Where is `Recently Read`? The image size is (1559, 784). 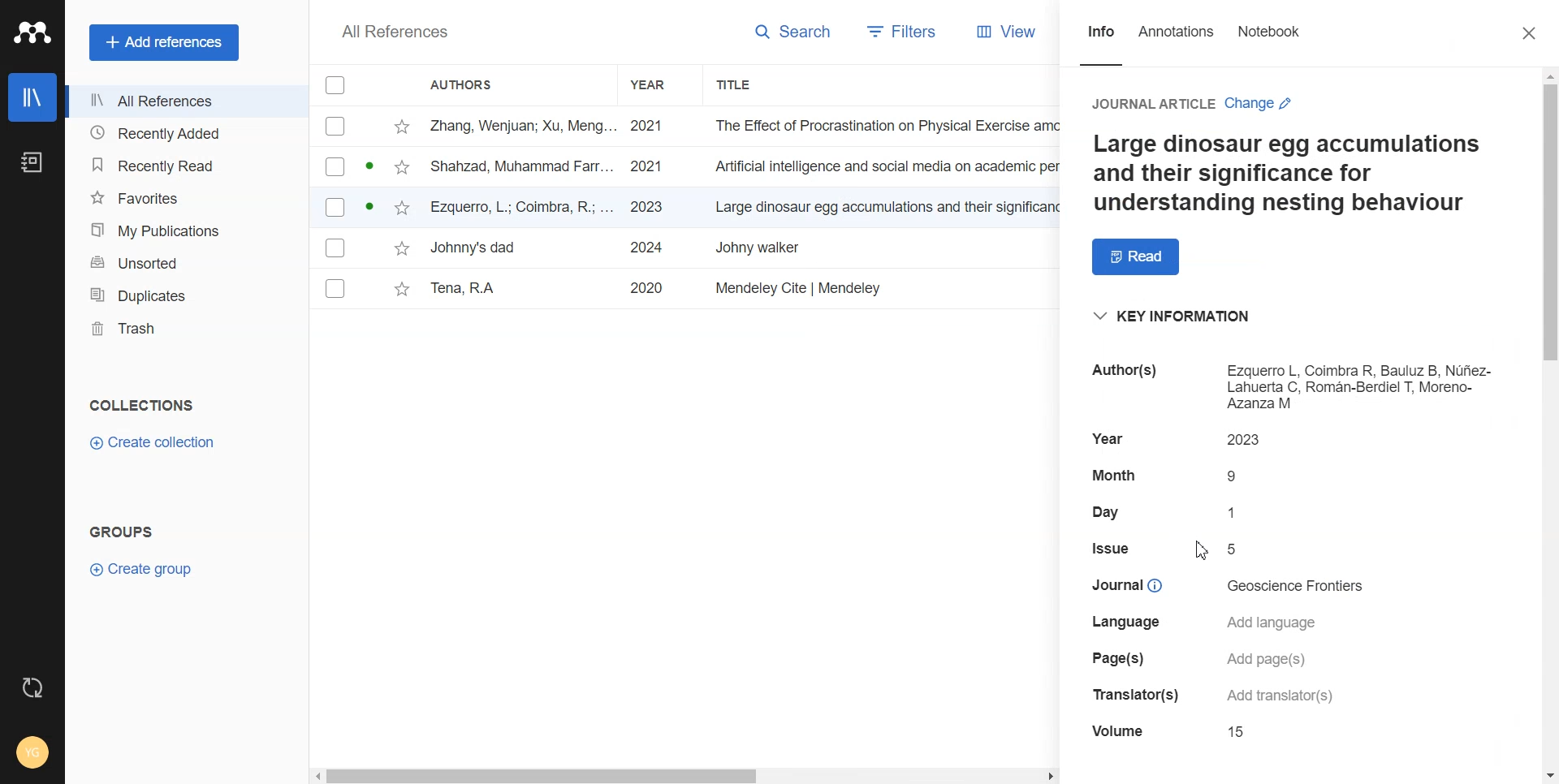 Recently Read is located at coordinates (184, 164).